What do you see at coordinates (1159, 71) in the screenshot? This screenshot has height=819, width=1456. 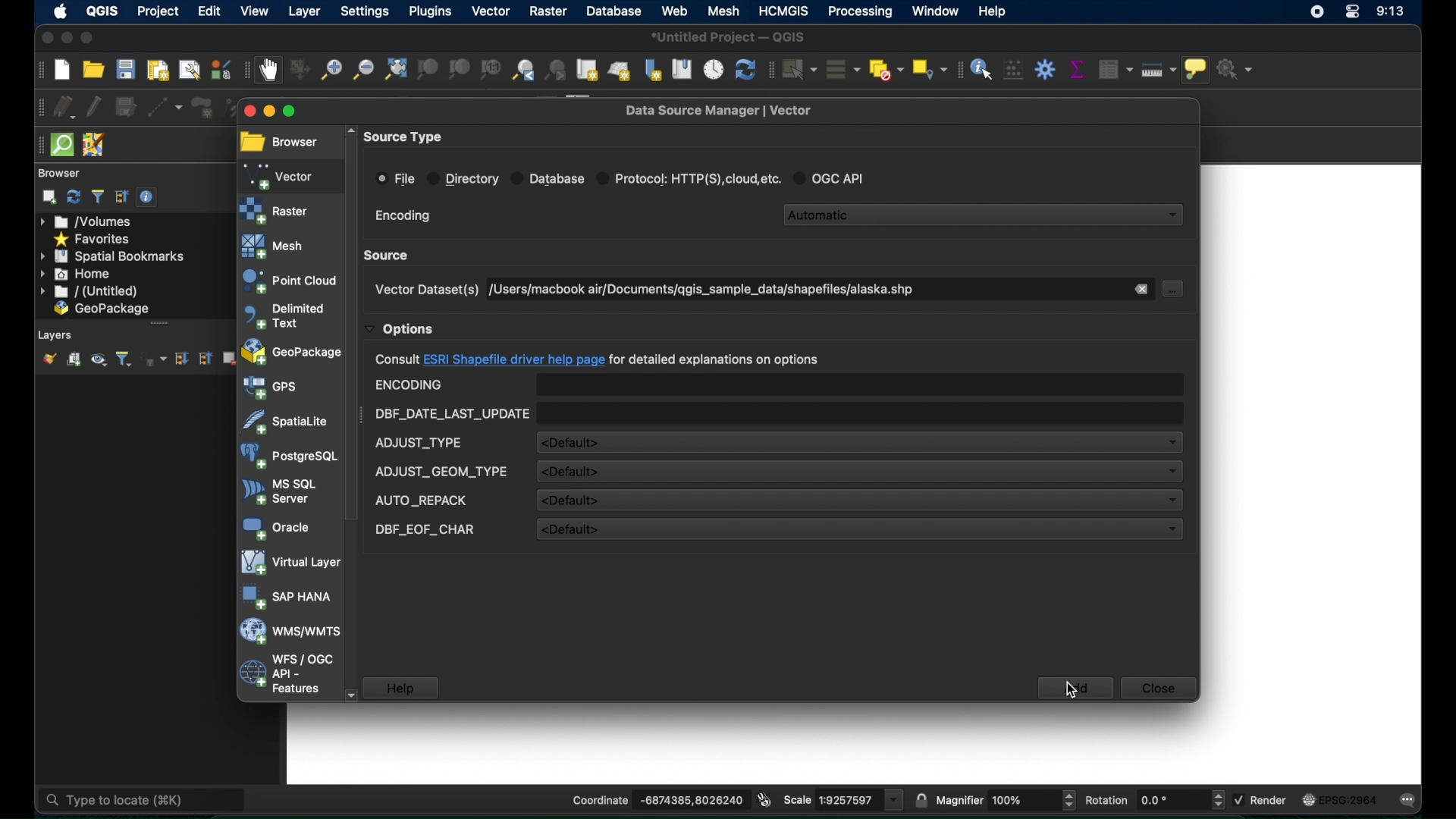 I see `measure line` at bounding box center [1159, 71].